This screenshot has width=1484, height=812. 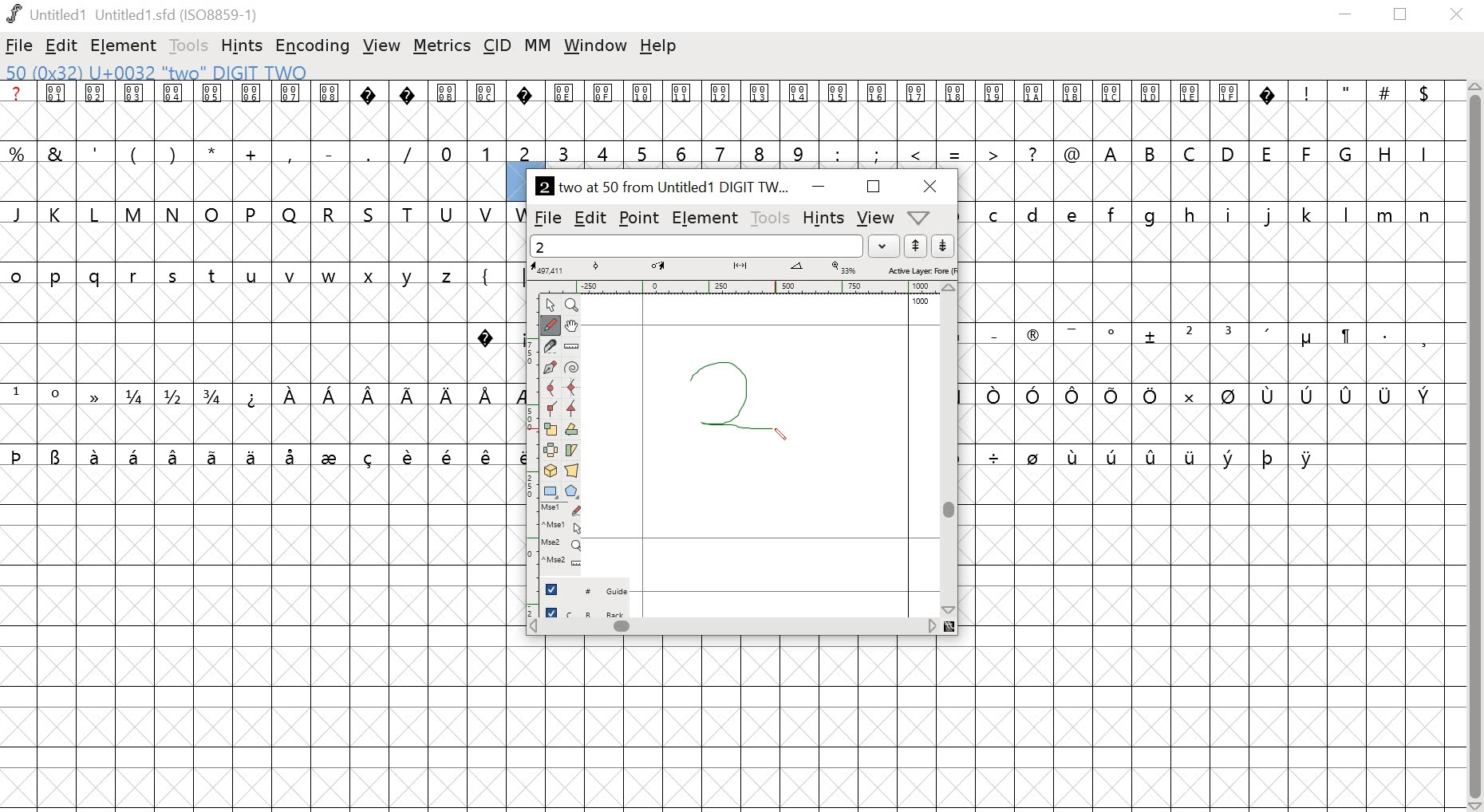 I want to click on scrollbar, so click(x=741, y=628).